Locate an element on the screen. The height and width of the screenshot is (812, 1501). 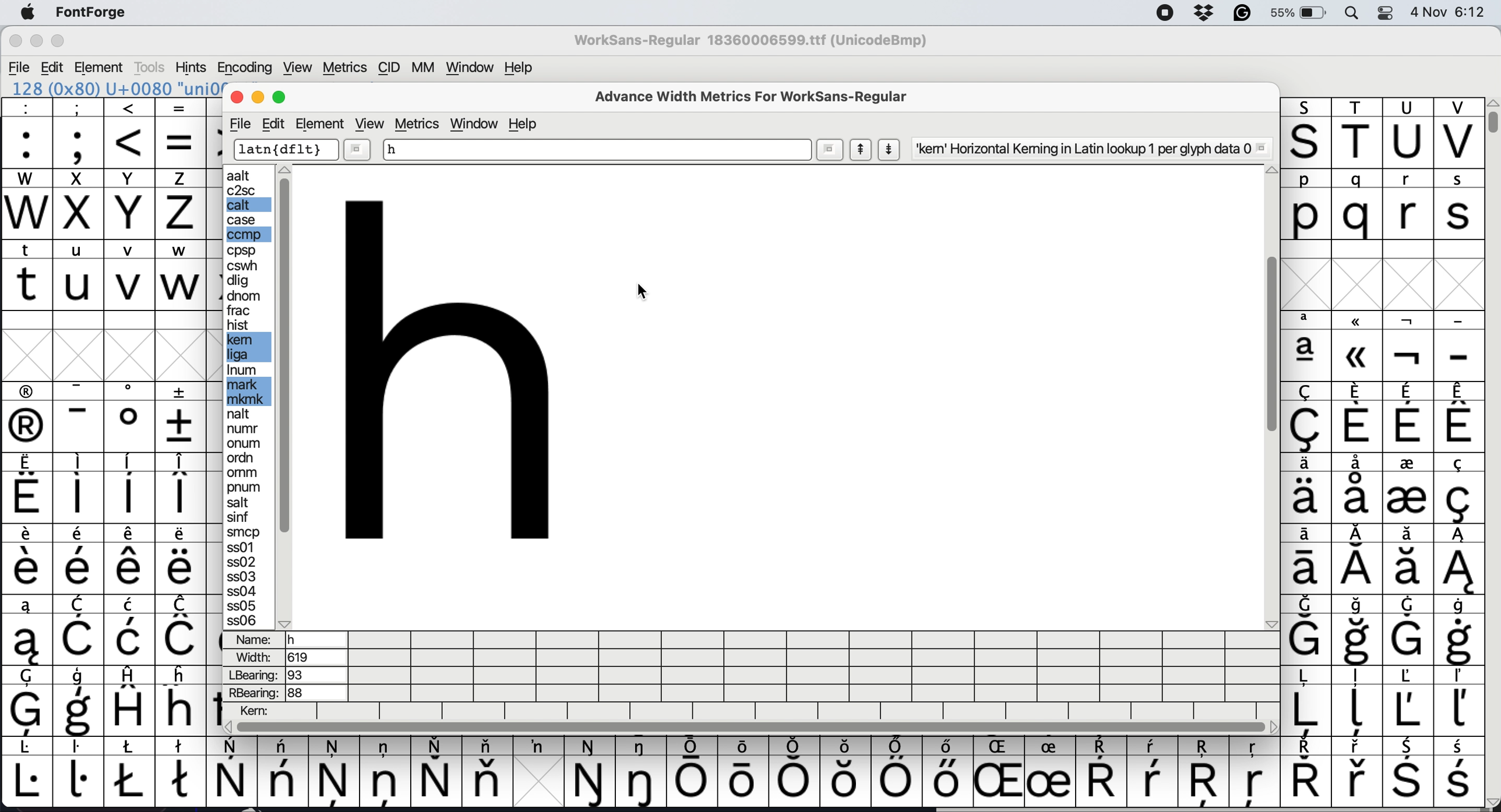
spotlight search is located at coordinates (1353, 14).